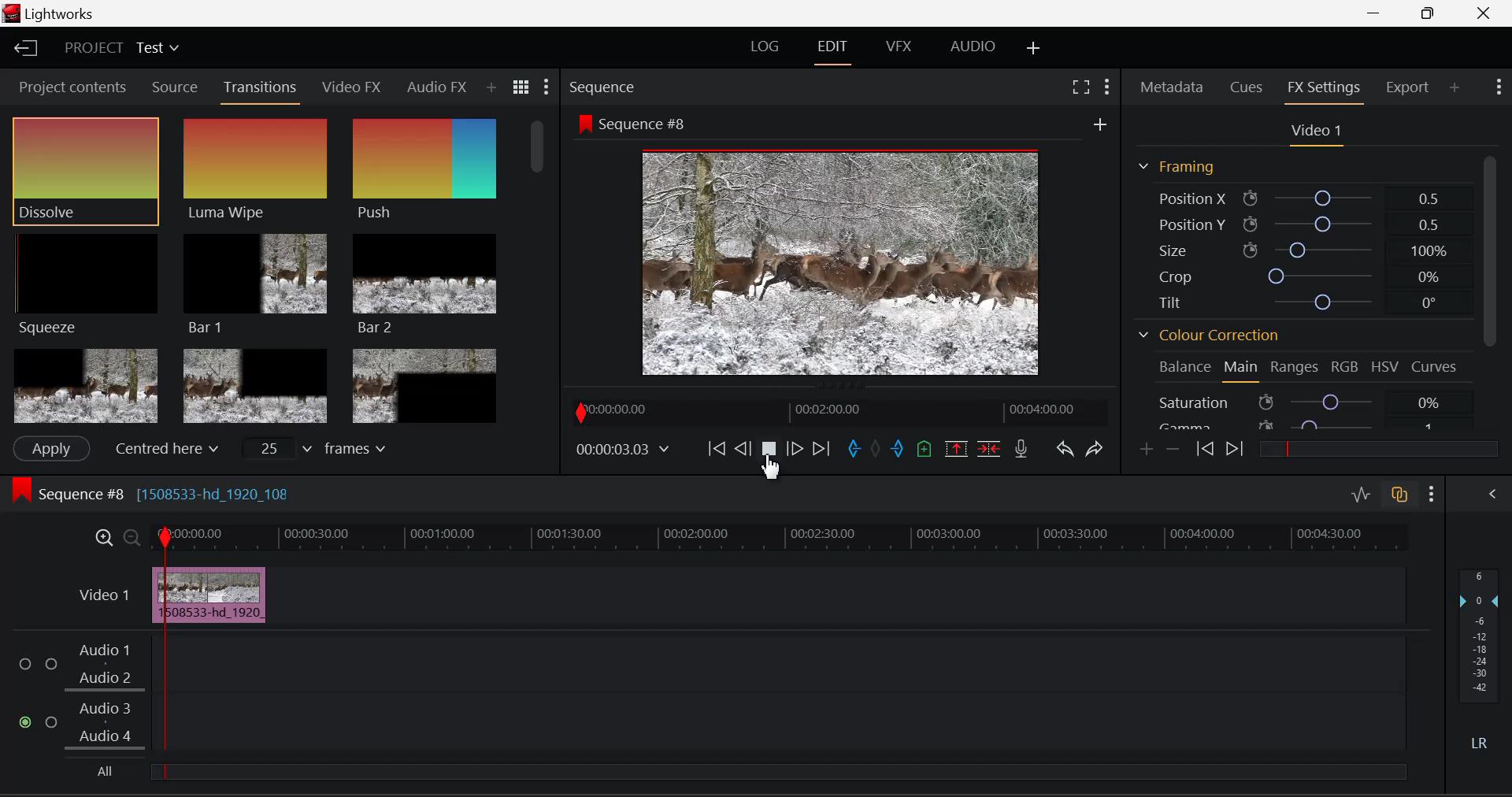  What do you see at coordinates (1244, 88) in the screenshot?
I see `Cues` at bounding box center [1244, 88].